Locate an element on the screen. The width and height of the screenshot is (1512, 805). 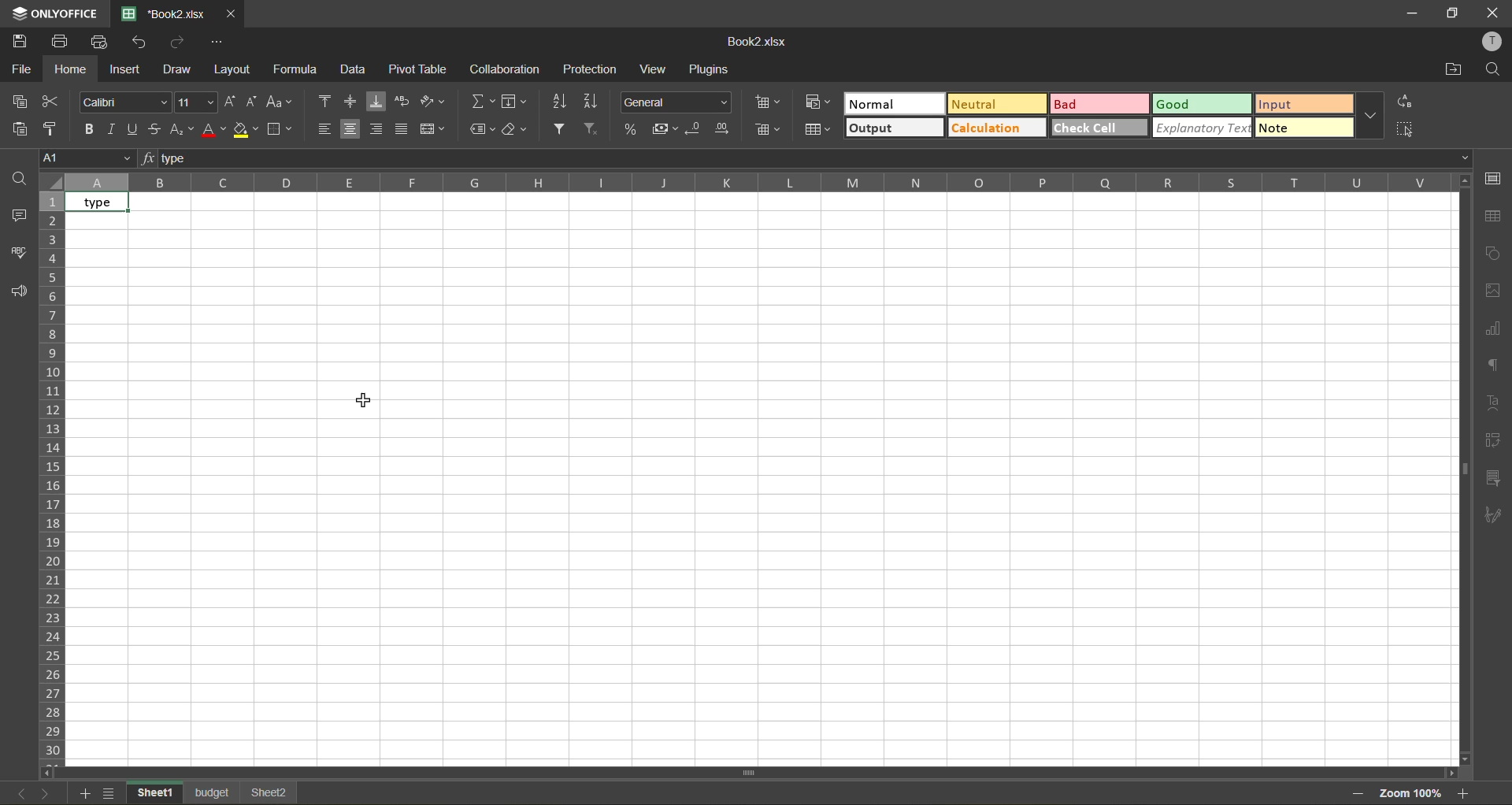
underline is located at coordinates (135, 132).